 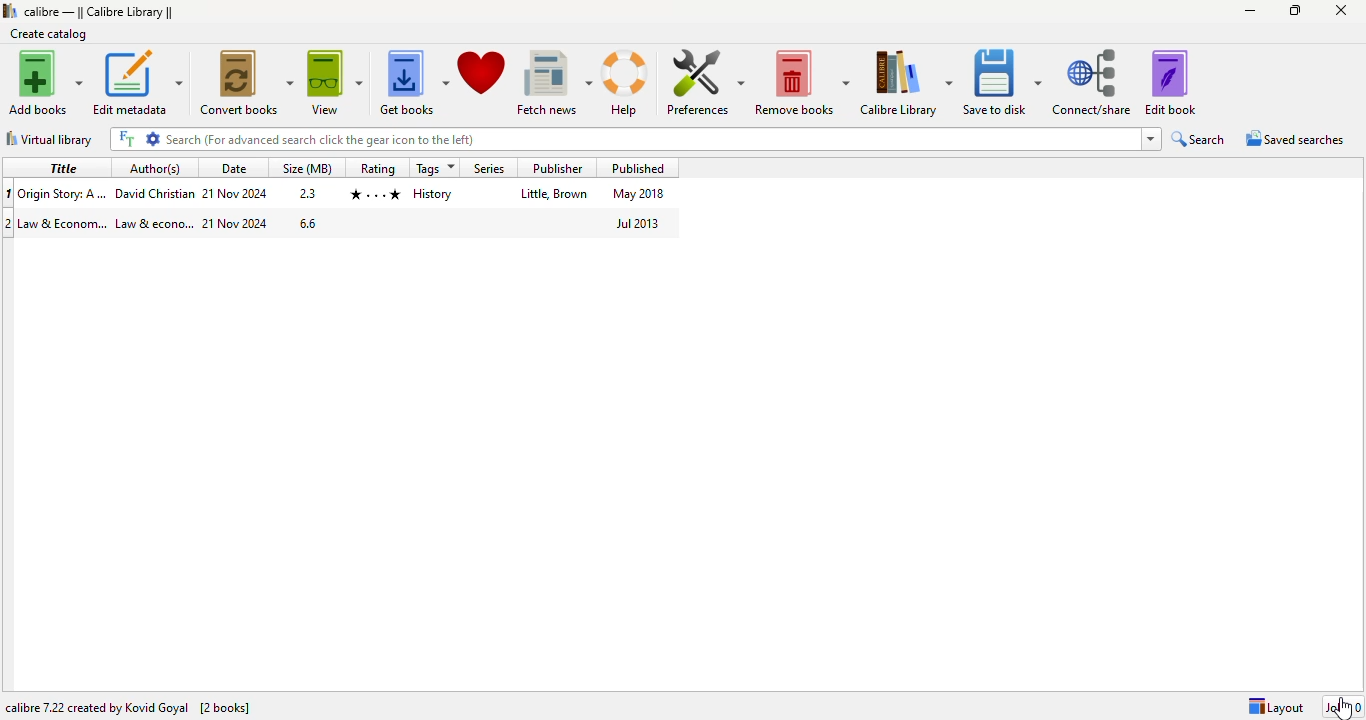 What do you see at coordinates (1251, 11) in the screenshot?
I see `minimize` at bounding box center [1251, 11].